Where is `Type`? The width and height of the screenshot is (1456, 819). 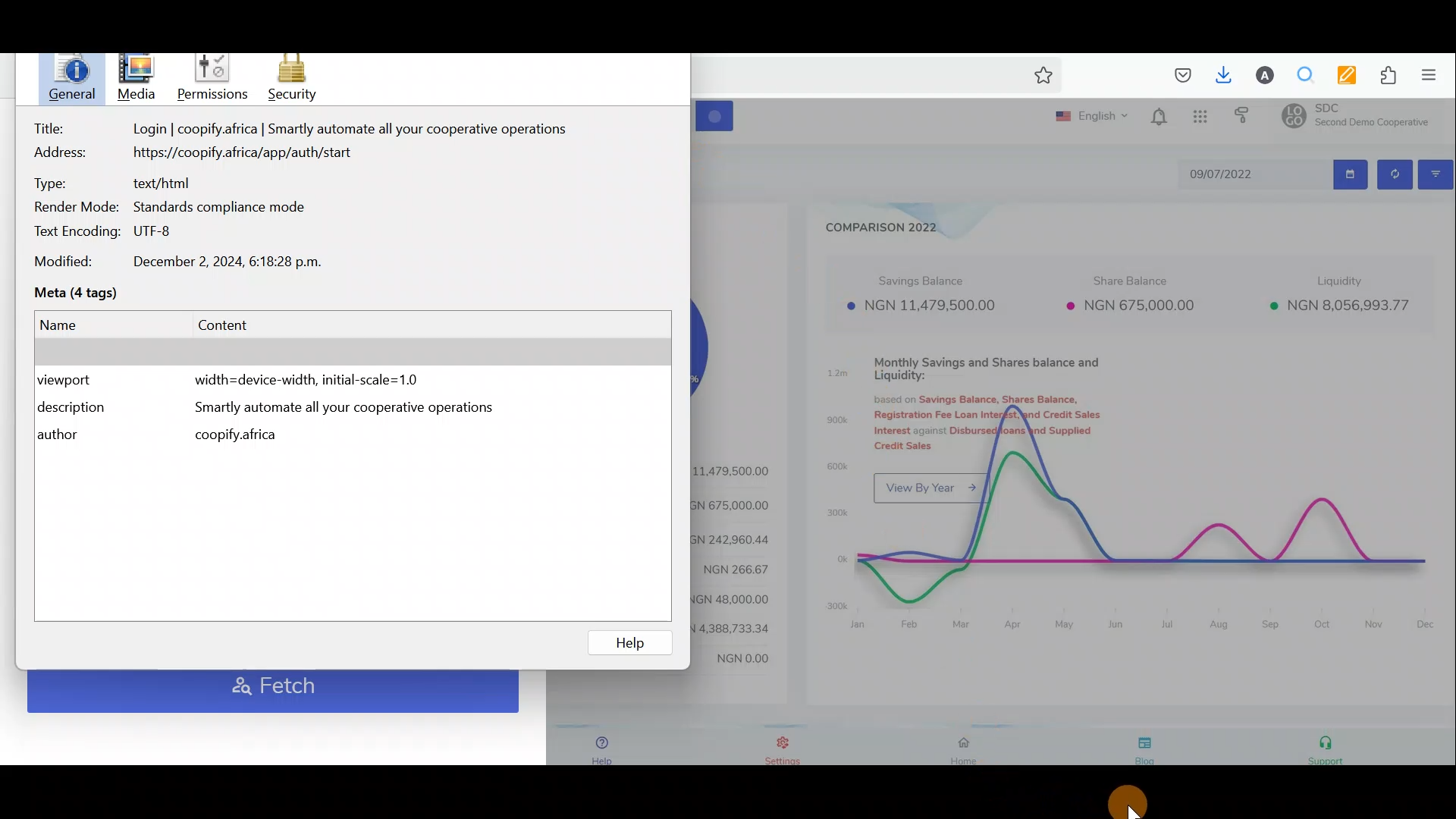
Type is located at coordinates (137, 186).